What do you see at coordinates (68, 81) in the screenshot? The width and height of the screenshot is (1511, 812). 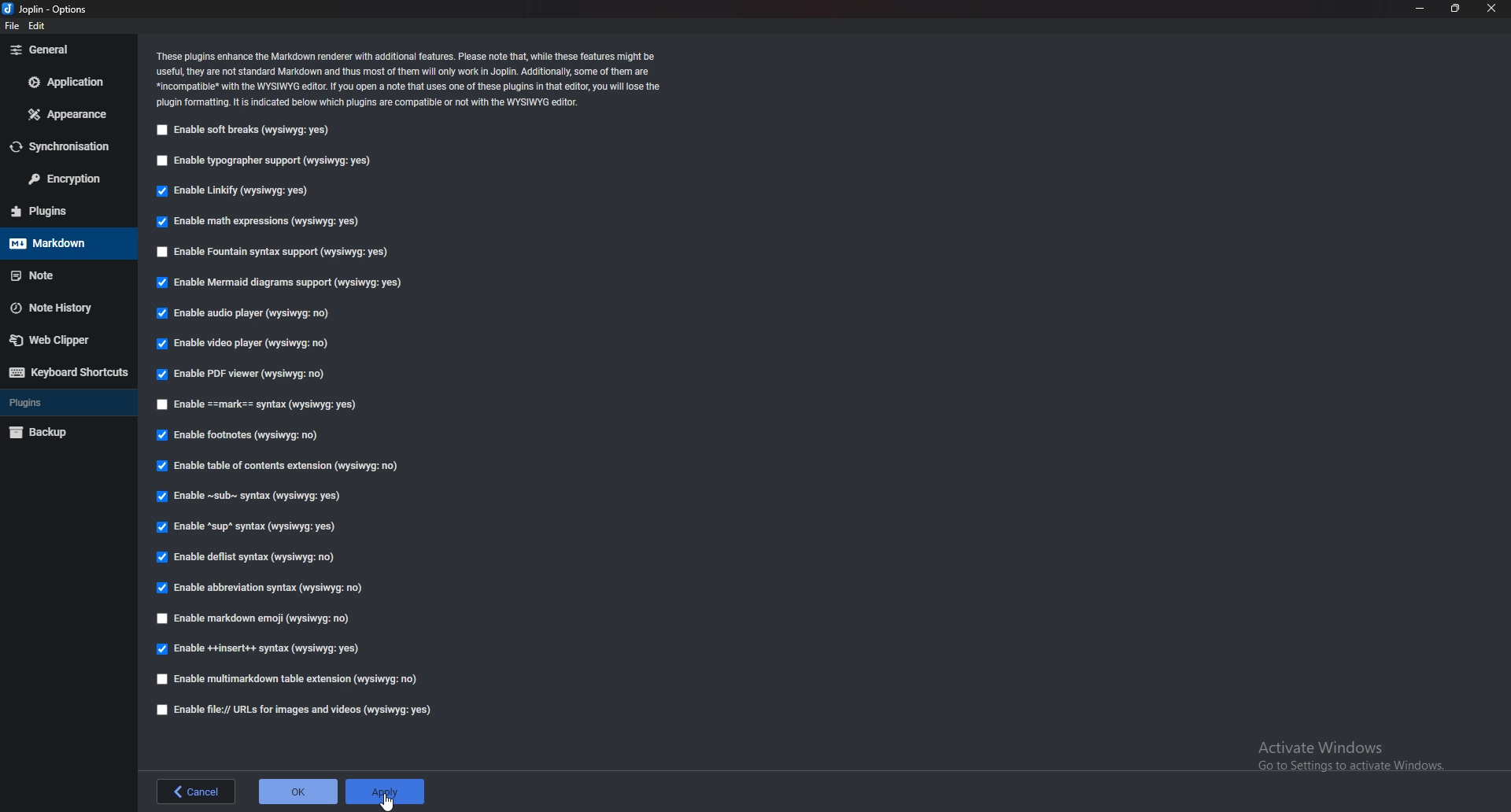 I see `application` at bounding box center [68, 81].